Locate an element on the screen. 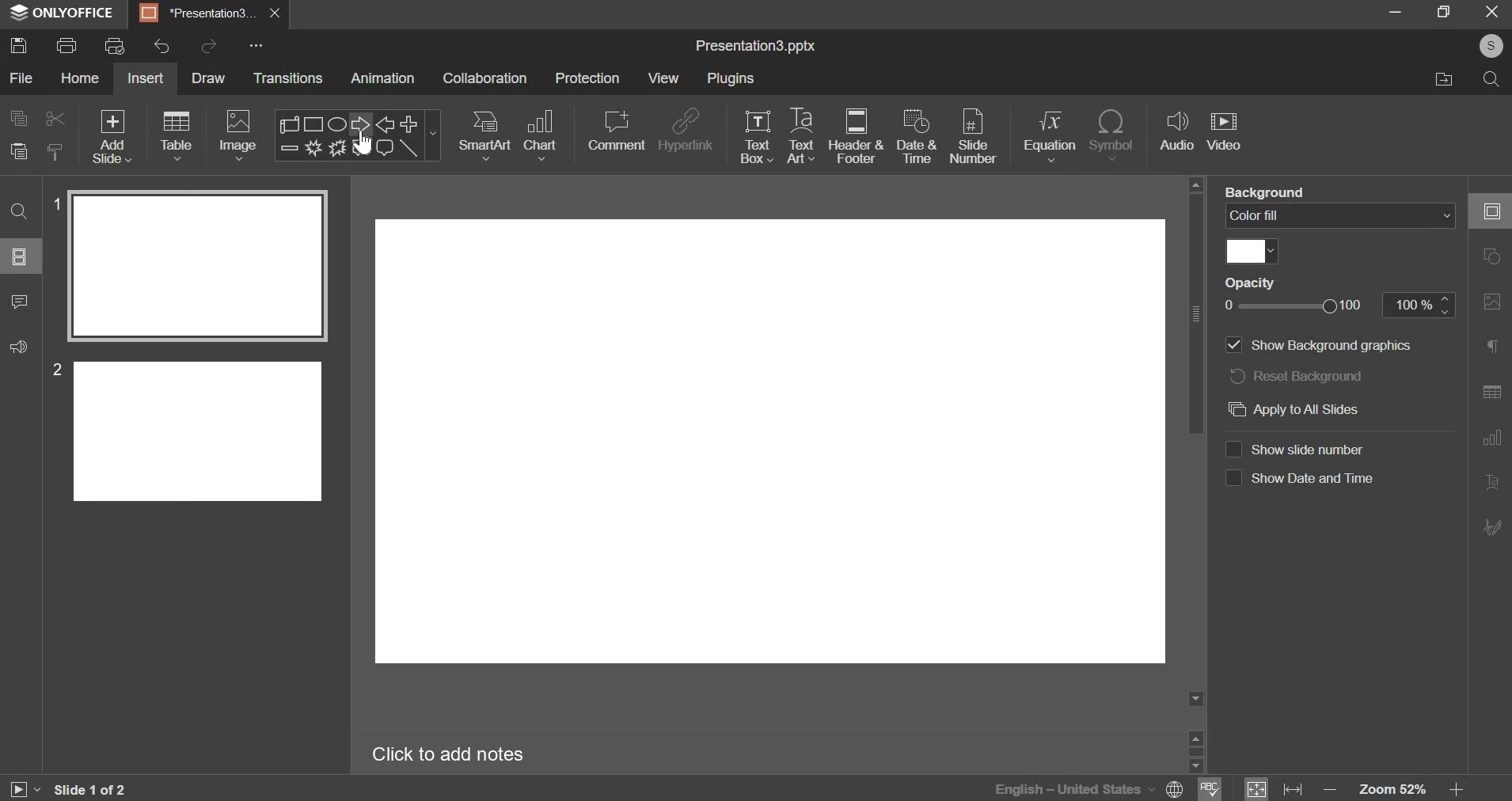 Image resolution: width=1512 pixels, height=801 pixels. scroll down is located at coordinates (1195, 766).